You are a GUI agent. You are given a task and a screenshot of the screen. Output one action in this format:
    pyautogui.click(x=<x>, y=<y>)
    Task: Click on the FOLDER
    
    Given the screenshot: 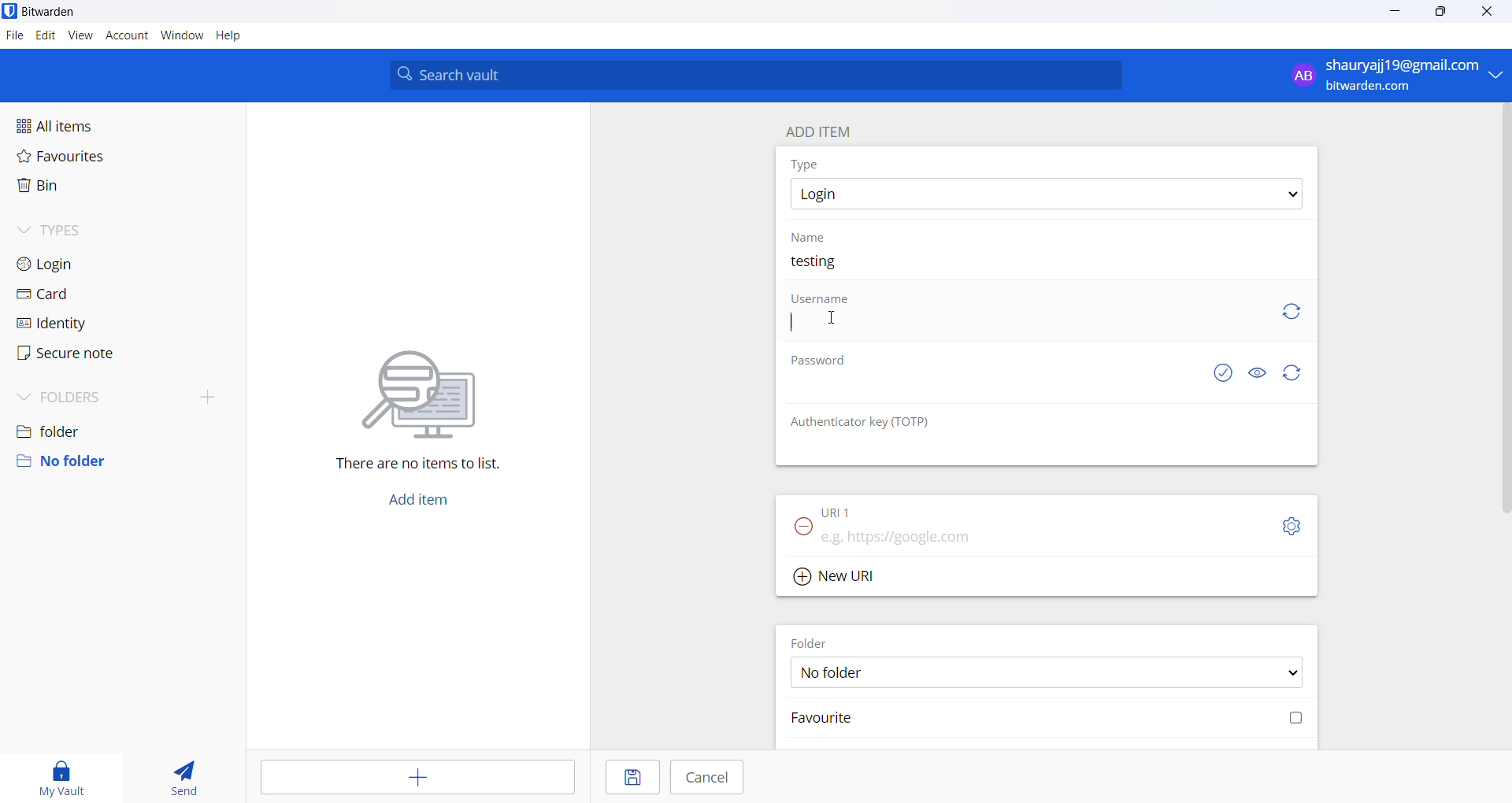 What is the action you would take?
    pyautogui.click(x=813, y=642)
    